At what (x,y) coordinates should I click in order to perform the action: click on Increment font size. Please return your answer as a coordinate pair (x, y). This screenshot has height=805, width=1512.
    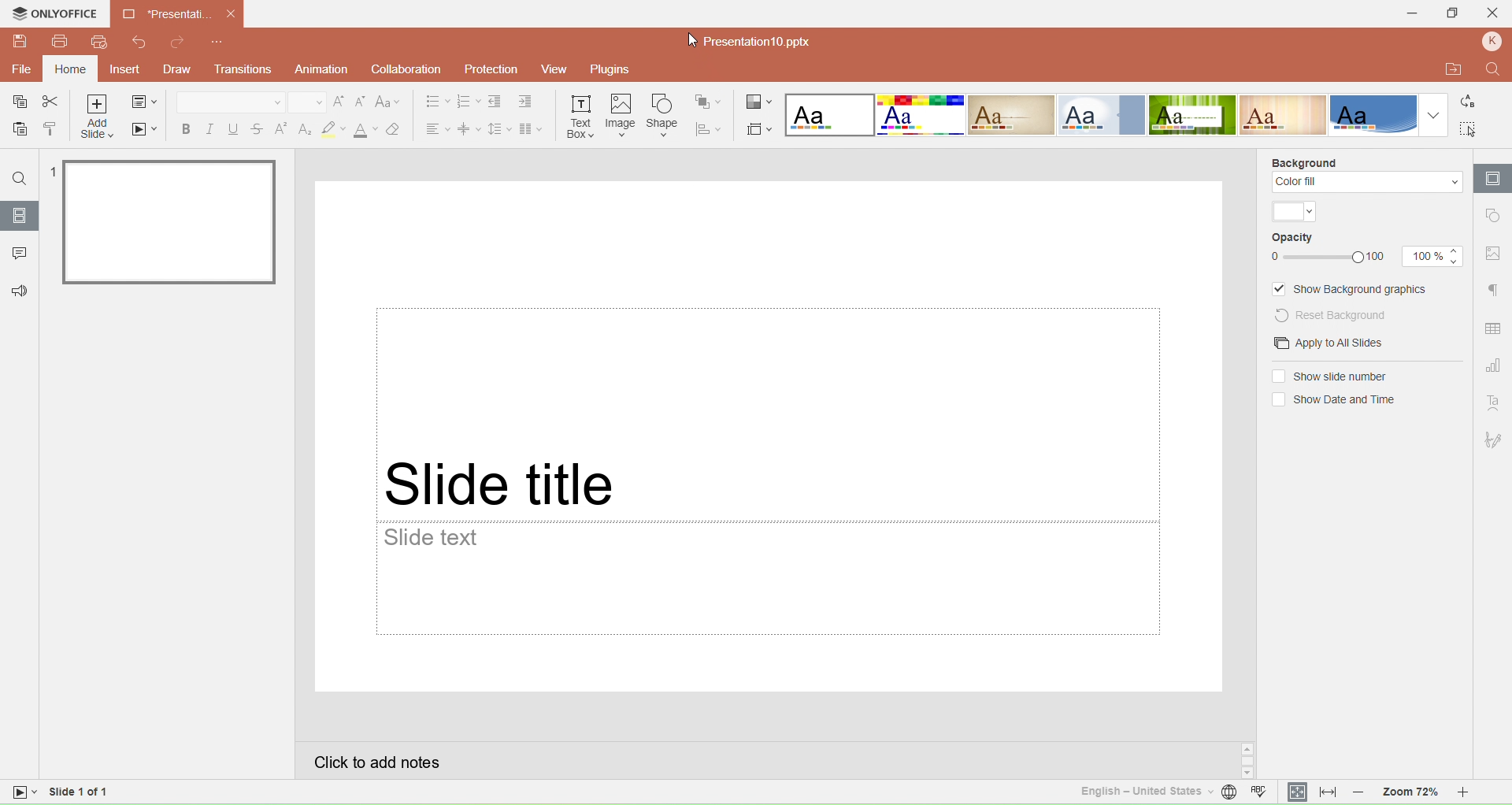
    Looking at the image, I should click on (339, 102).